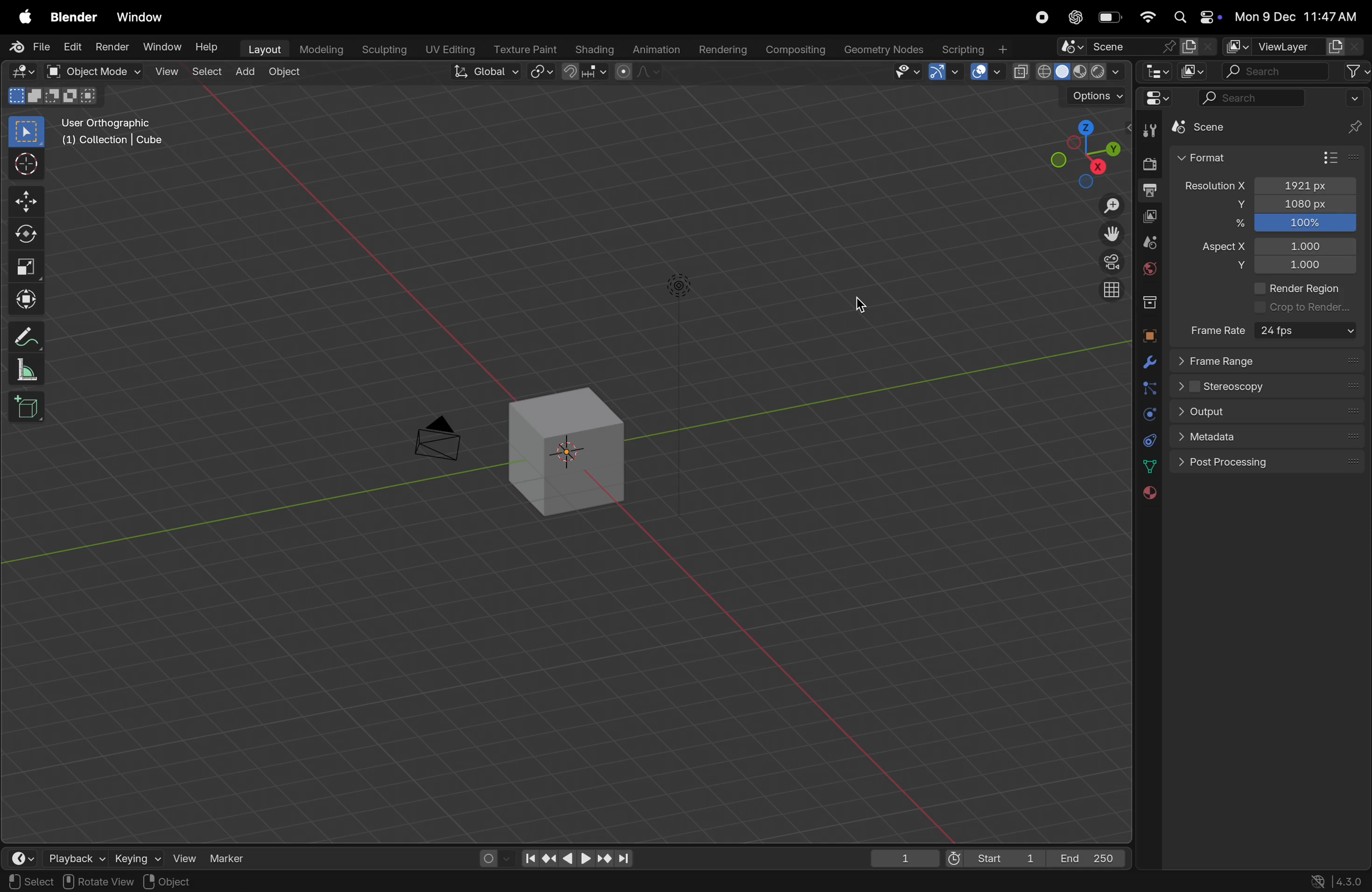 This screenshot has width=1372, height=892. I want to click on pan view, so click(35, 882).